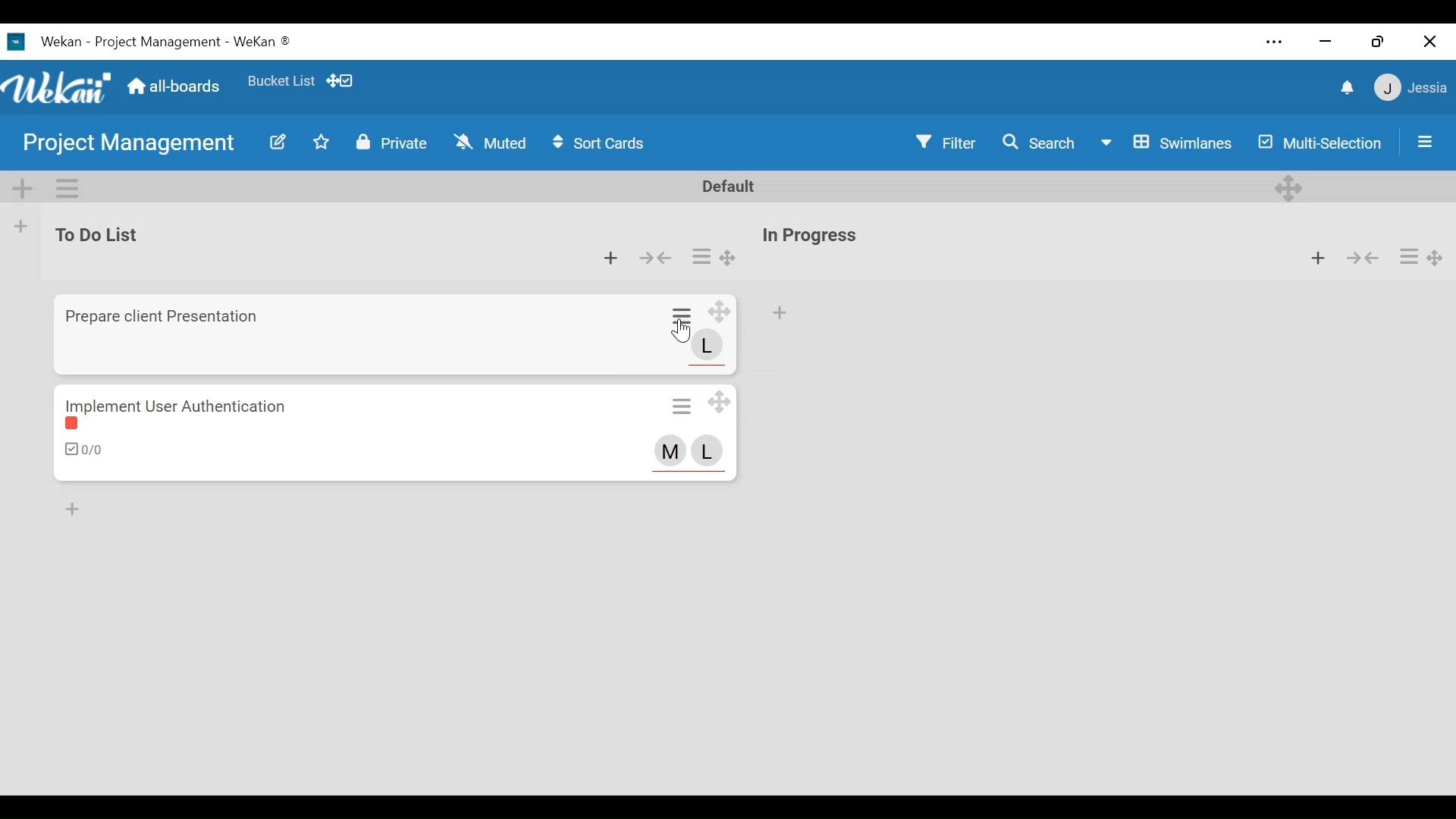 The width and height of the screenshot is (1456, 819). I want to click on restore, so click(1376, 42).